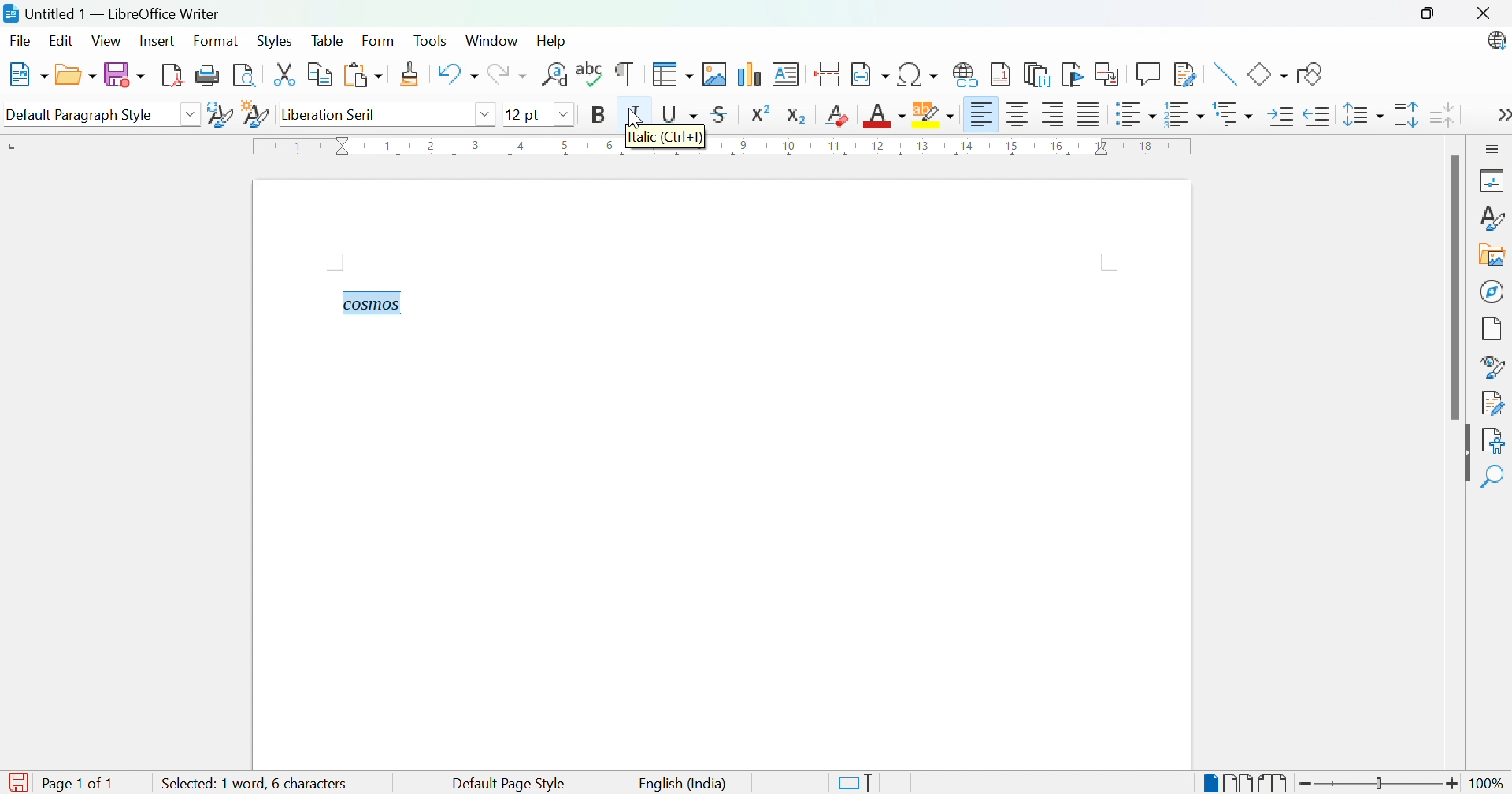 The height and width of the screenshot is (794, 1512). What do you see at coordinates (761, 113) in the screenshot?
I see `Superscript` at bounding box center [761, 113].